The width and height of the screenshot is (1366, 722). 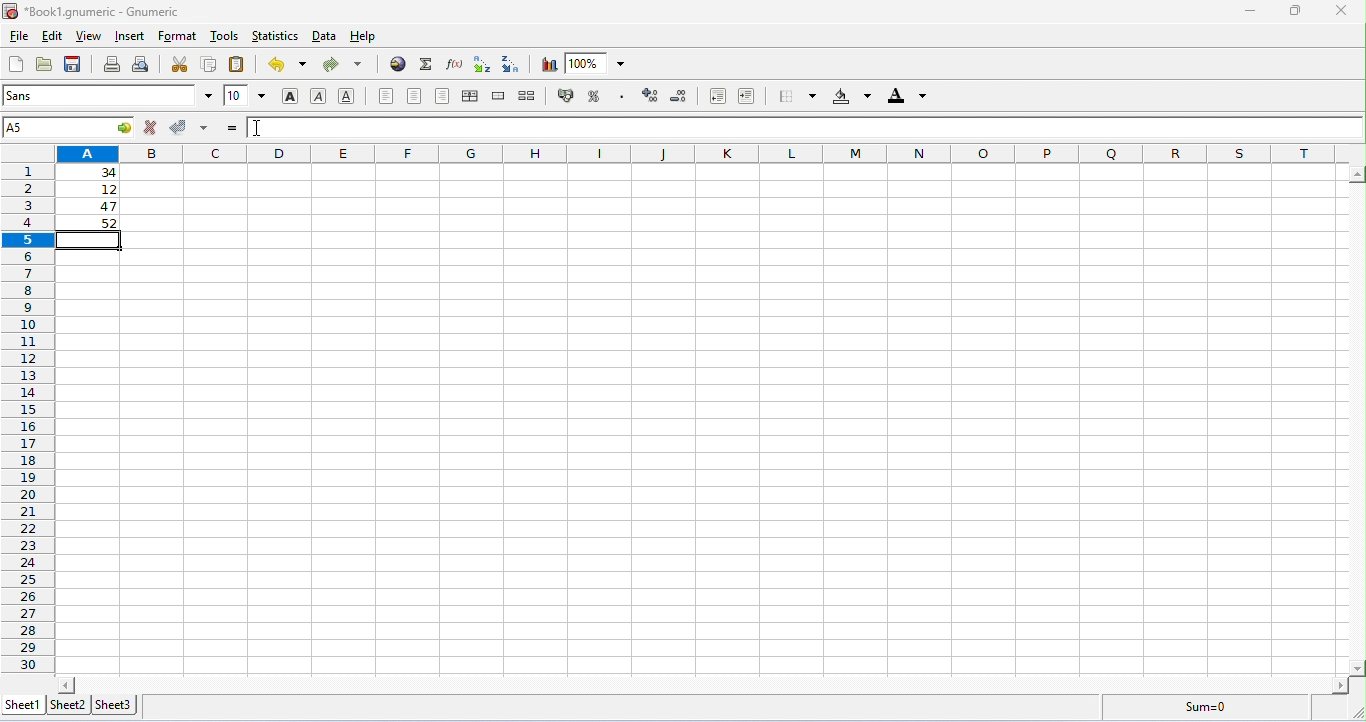 I want to click on align right, so click(x=443, y=96).